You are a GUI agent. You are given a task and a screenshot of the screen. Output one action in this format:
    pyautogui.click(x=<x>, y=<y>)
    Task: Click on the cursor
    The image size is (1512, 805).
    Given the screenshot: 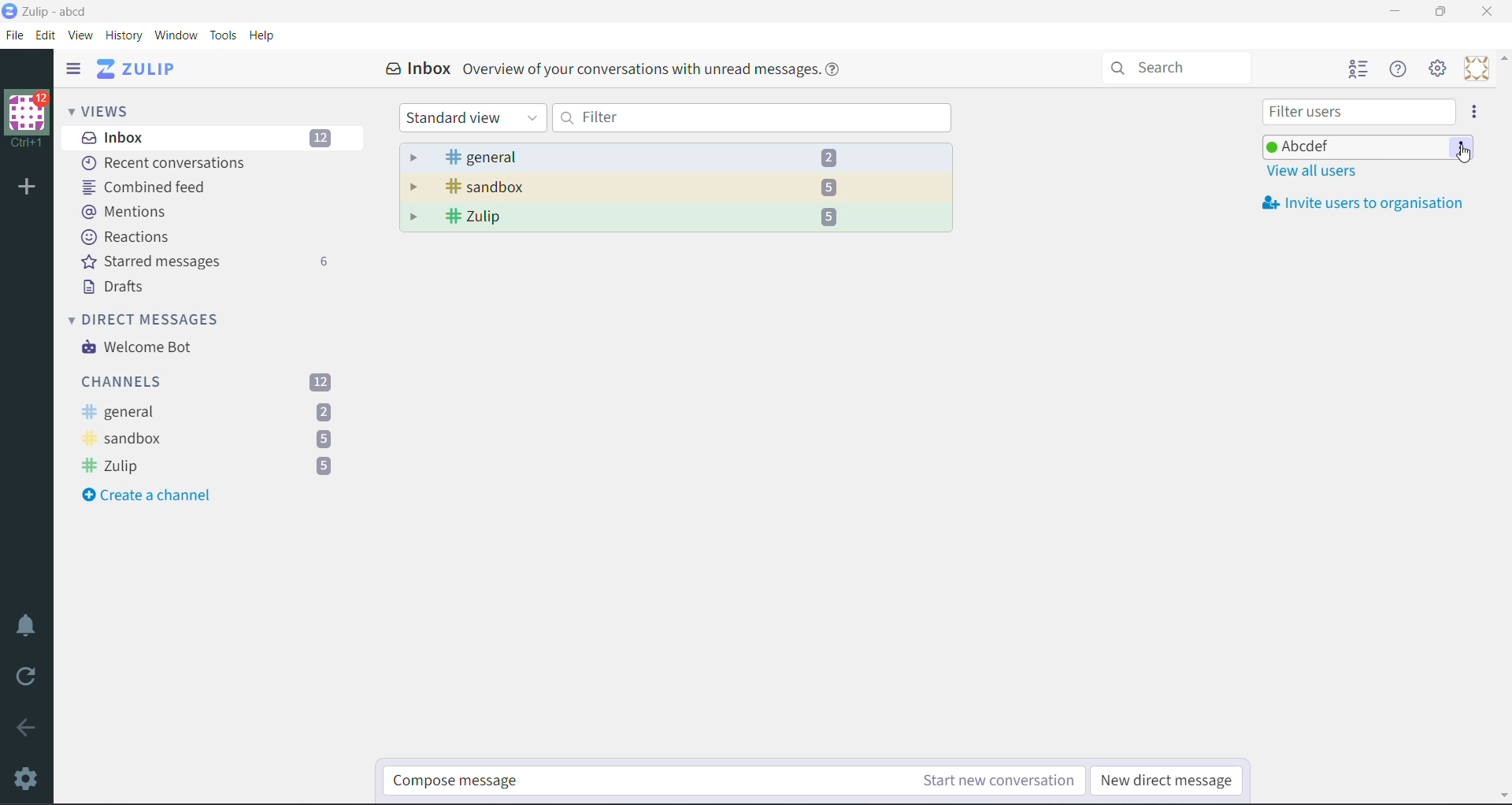 What is the action you would take?
    pyautogui.click(x=1466, y=159)
    